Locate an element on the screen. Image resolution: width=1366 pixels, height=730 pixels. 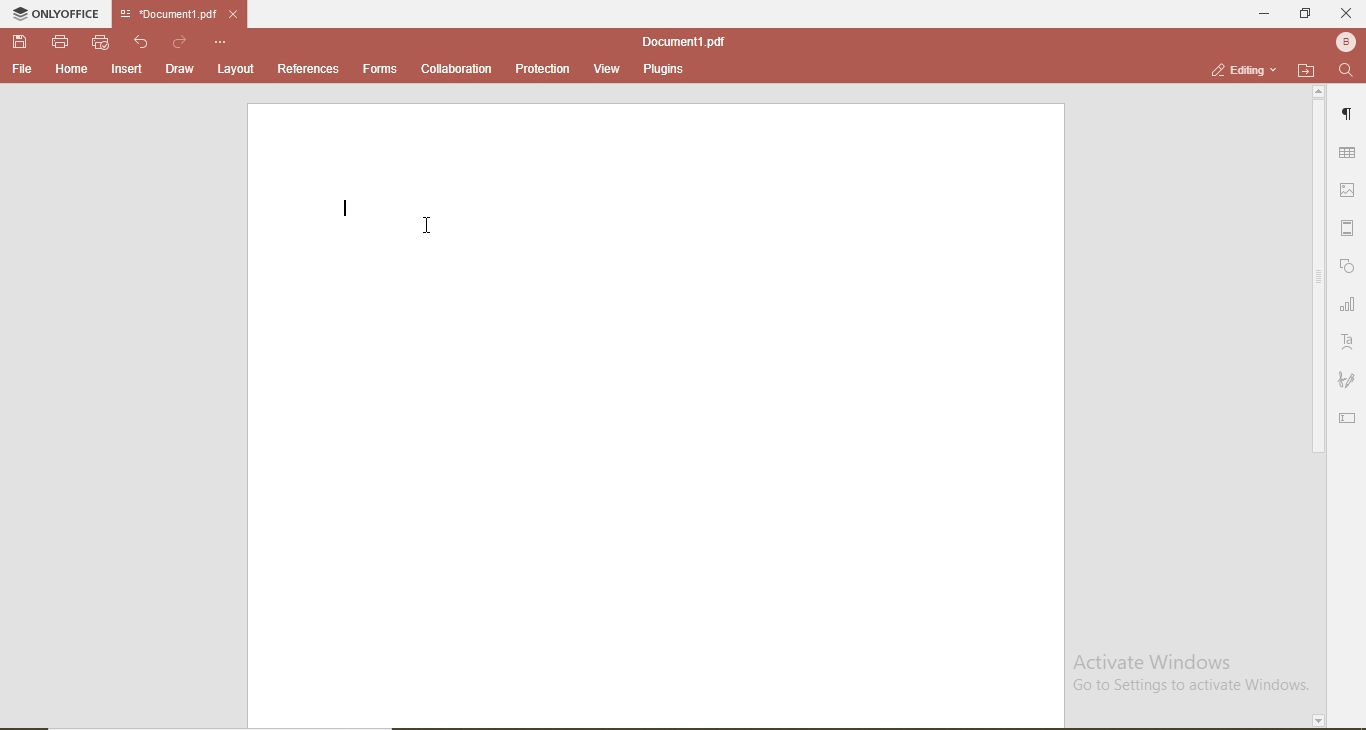
layout is located at coordinates (233, 69).